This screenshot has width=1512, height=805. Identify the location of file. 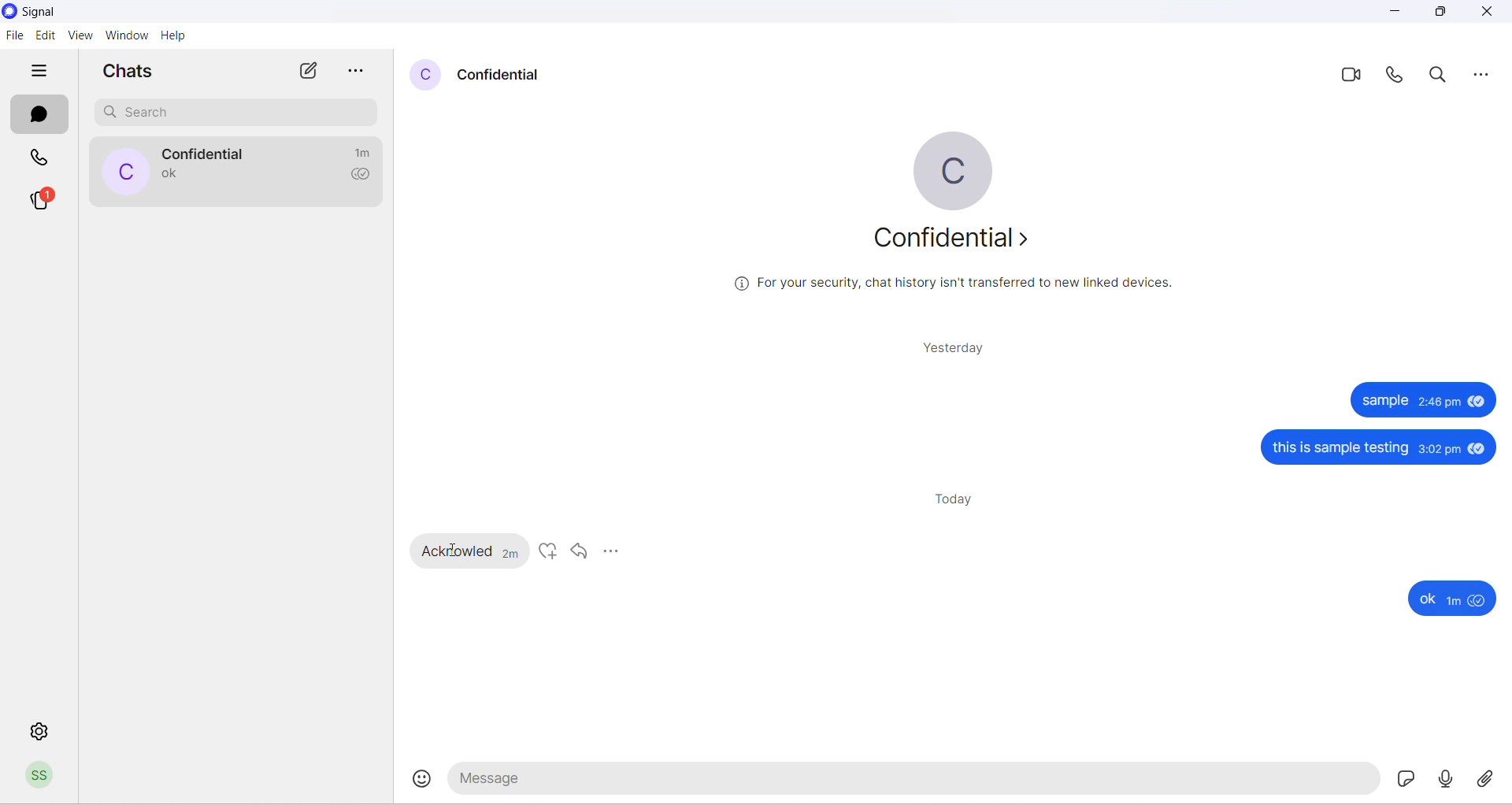
(13, 34).